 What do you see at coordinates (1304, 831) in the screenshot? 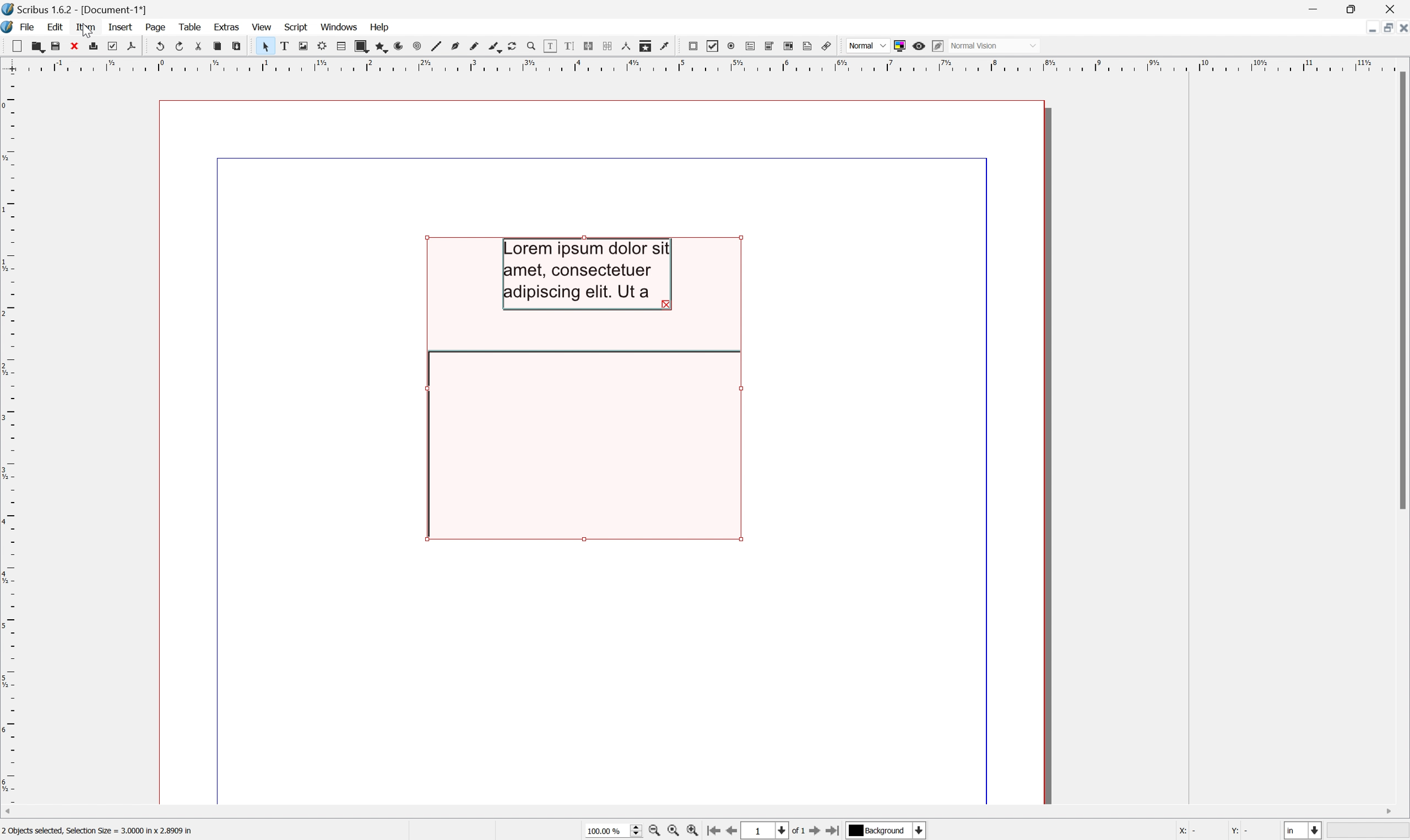
I see `Select the current unit` at bounding box center [1304, 831].